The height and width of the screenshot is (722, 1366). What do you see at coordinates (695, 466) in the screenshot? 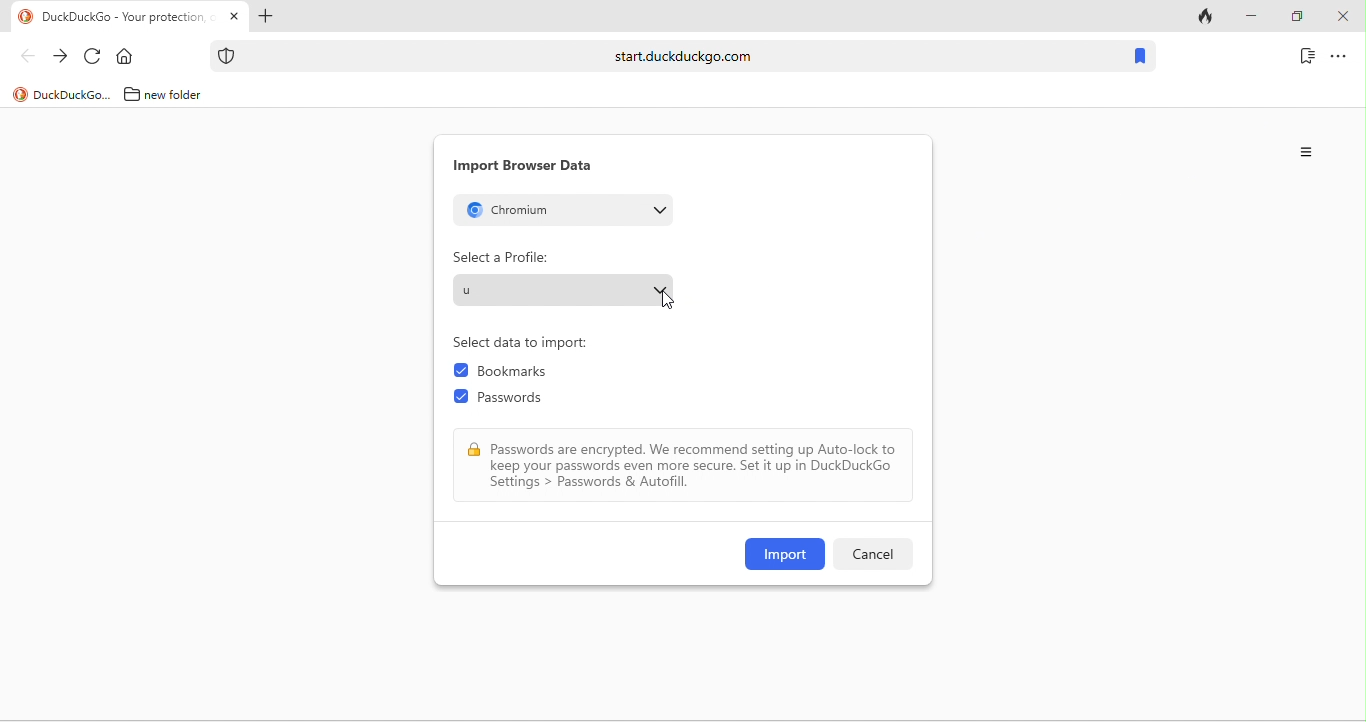
I see `Passwords are encrypted. We recommend setting up Auto-lock to keep your passwords even more secure. Set it up in DuckDuckGo Settings > Passwords & Autofill.` at bounding box center [695, 466].